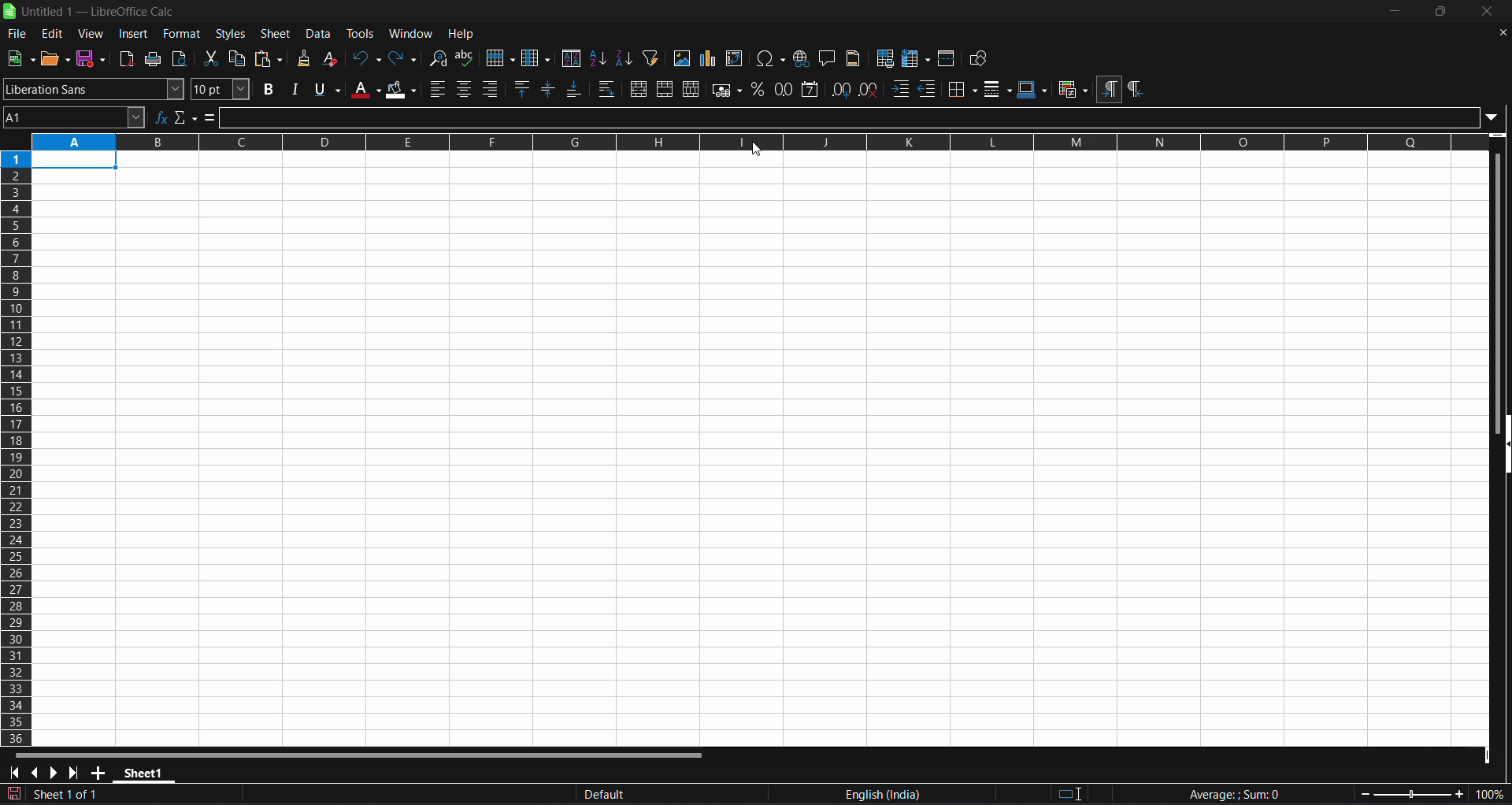 The height and width of the screenshot is (805, 1512). Describe the element at coordinates (1109, 91) in the screenshot. I see `left to right` at that location.